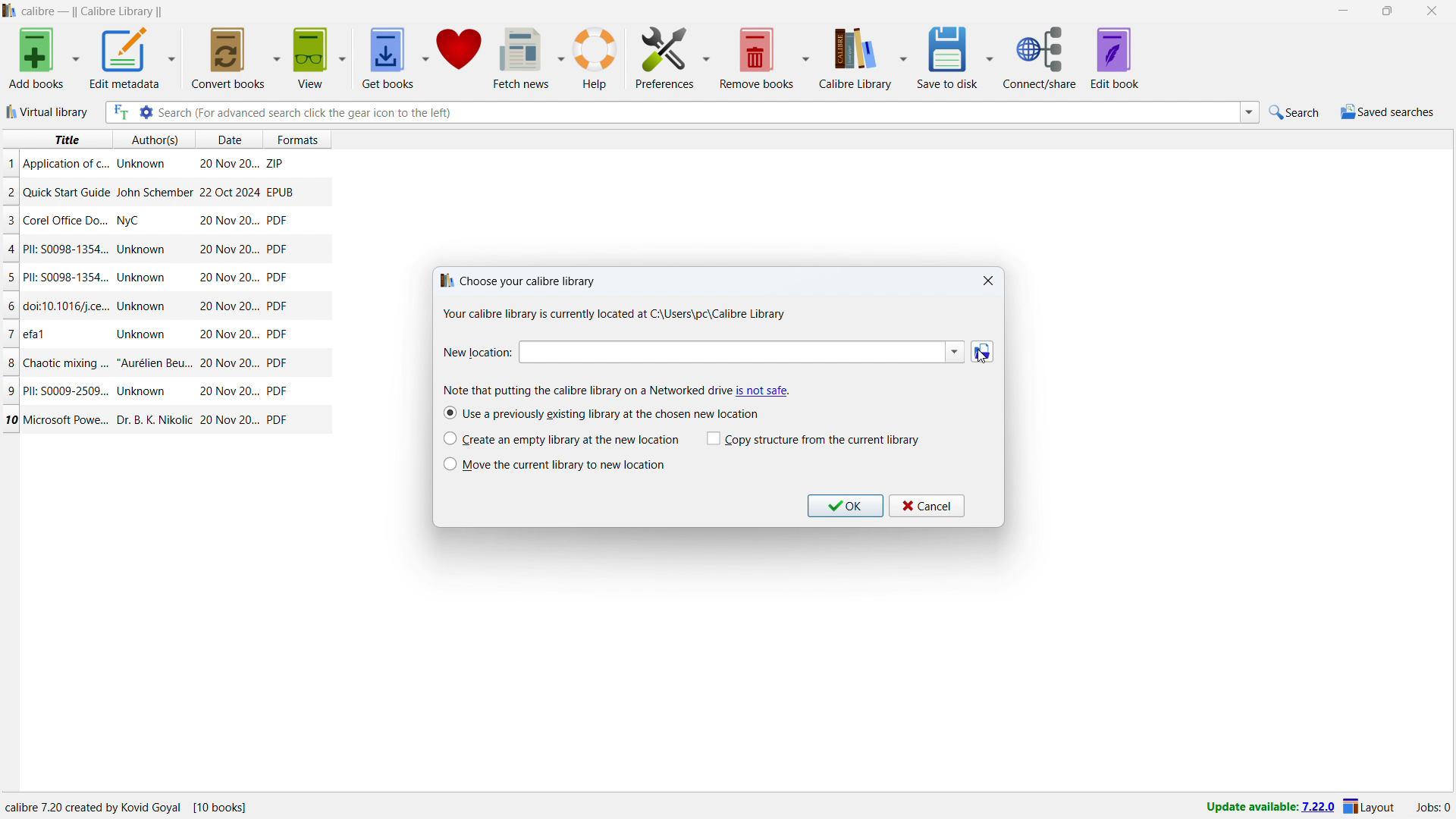 The image size is (1456, 819). What do you see at coordinates (277, 391) in the screenshot?
I see `PDF` at bounding box center [277, 391].